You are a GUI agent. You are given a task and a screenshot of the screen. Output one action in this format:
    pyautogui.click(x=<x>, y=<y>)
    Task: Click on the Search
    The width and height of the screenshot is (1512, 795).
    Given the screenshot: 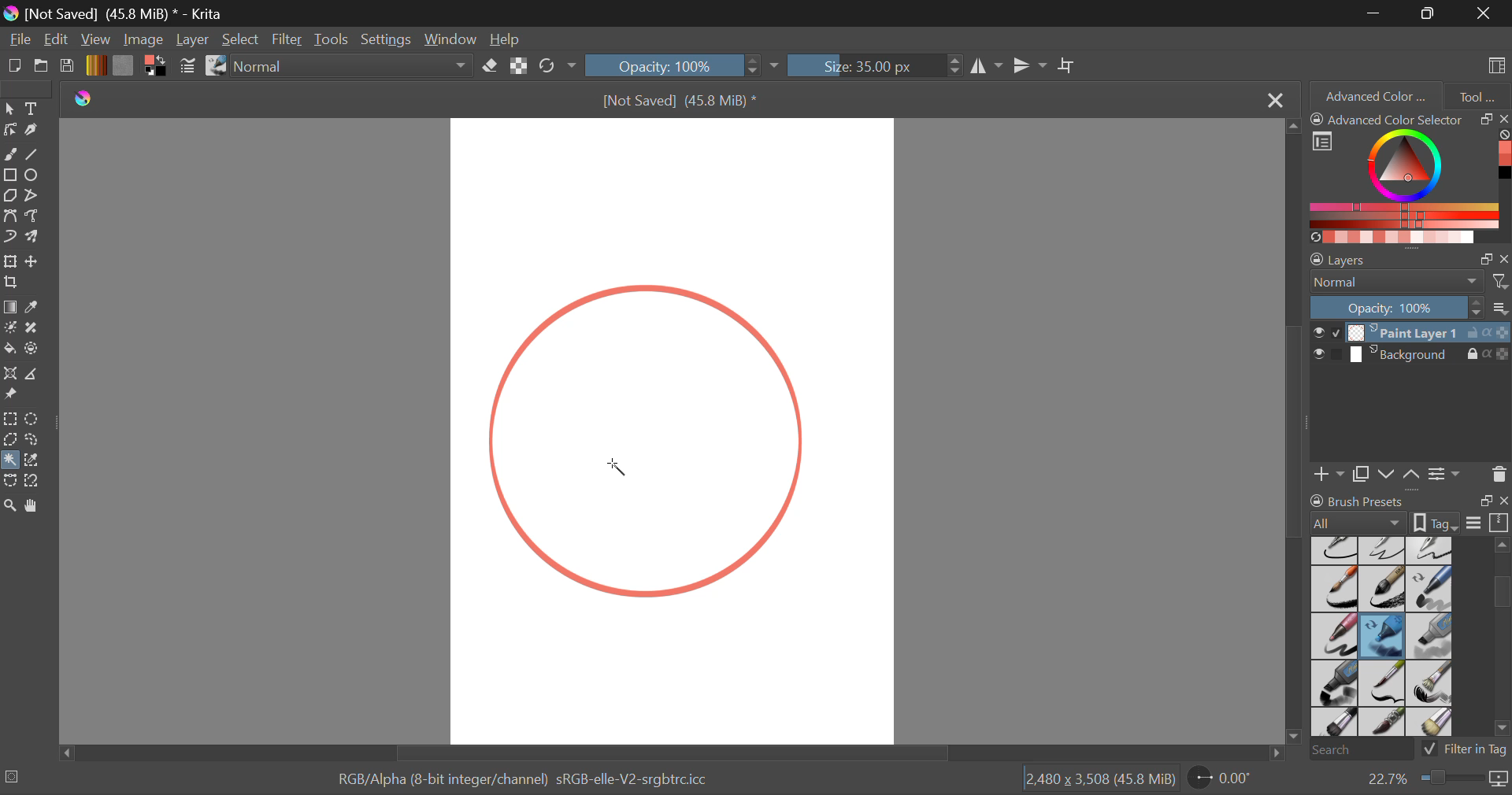 What is the action you would take?
    pyautogui.click(x=1357, y=751)
    